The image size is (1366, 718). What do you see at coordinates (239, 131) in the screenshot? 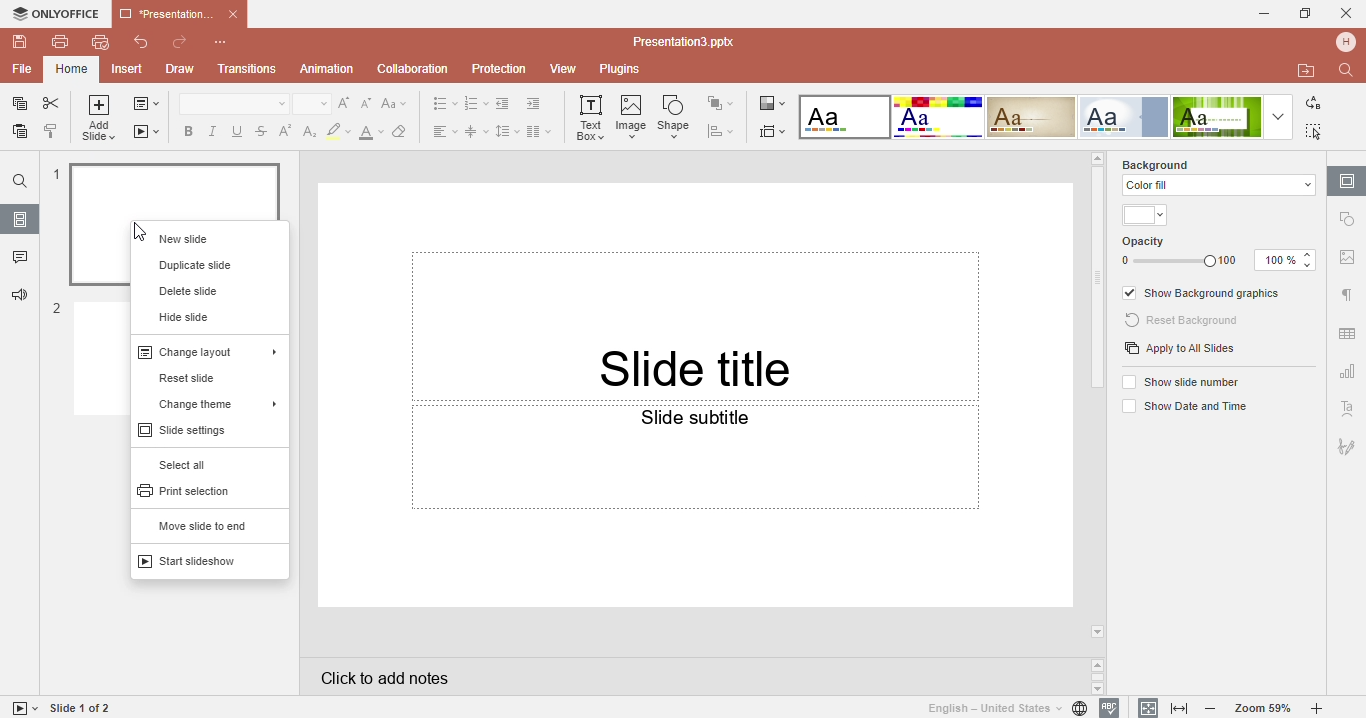
I see `Underline` at bounding box center [239, 131].